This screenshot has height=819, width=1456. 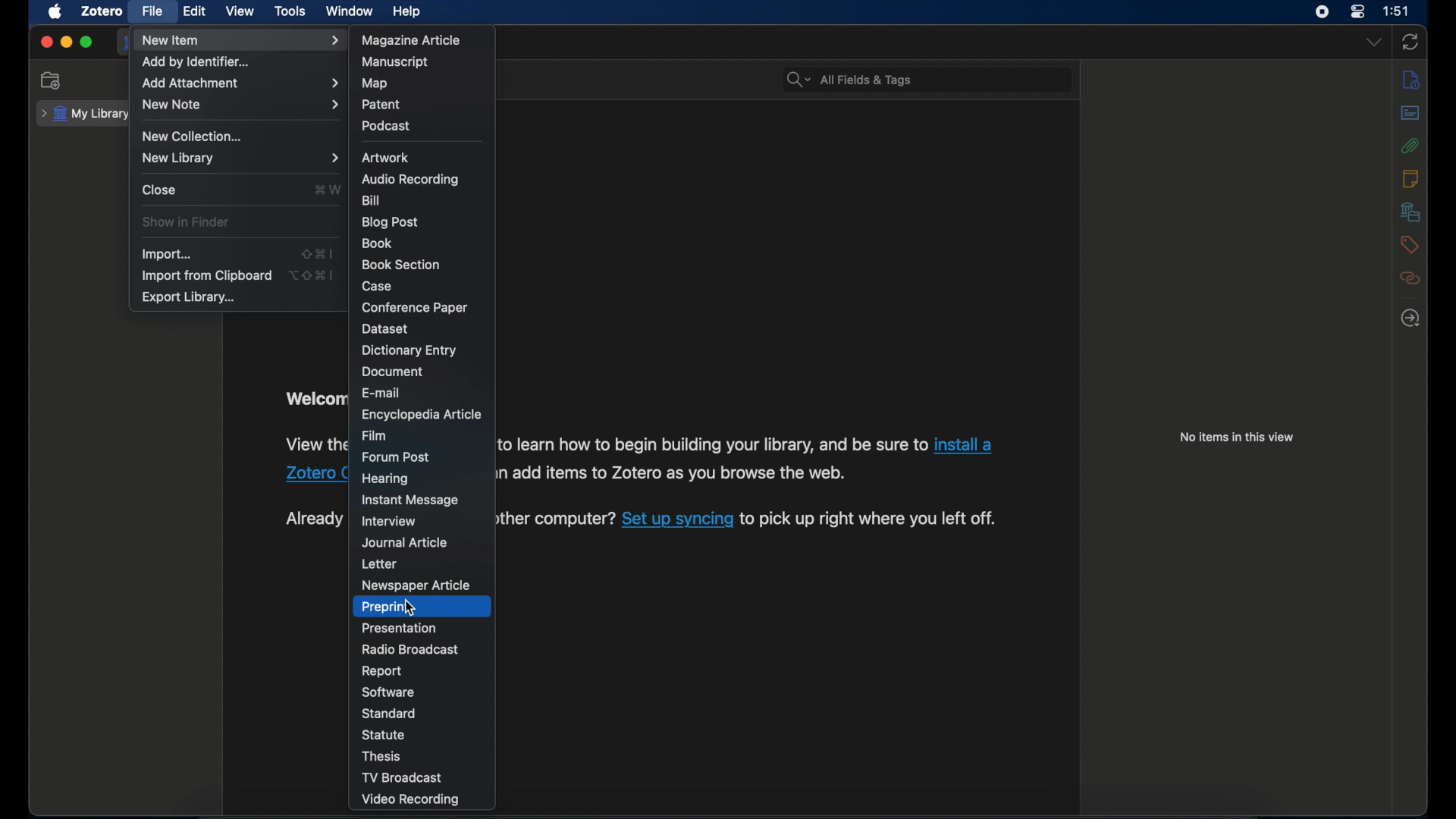 What do you see at coordinates (375, 435) in the screenshot?
I see `film` at bounding box center [375, 435].